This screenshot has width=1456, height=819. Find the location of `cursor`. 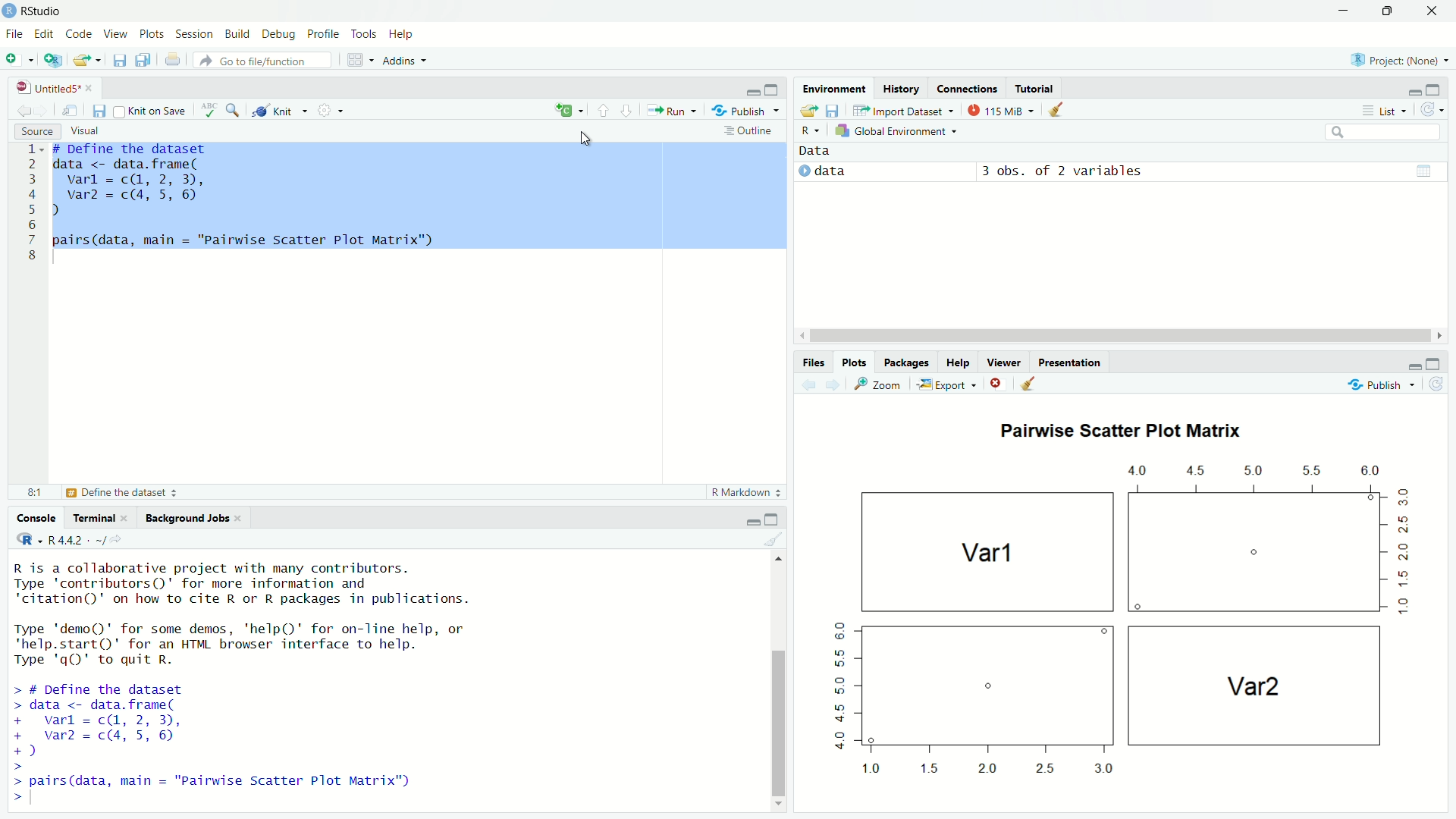

cursor is located at coordinates (582, 136).